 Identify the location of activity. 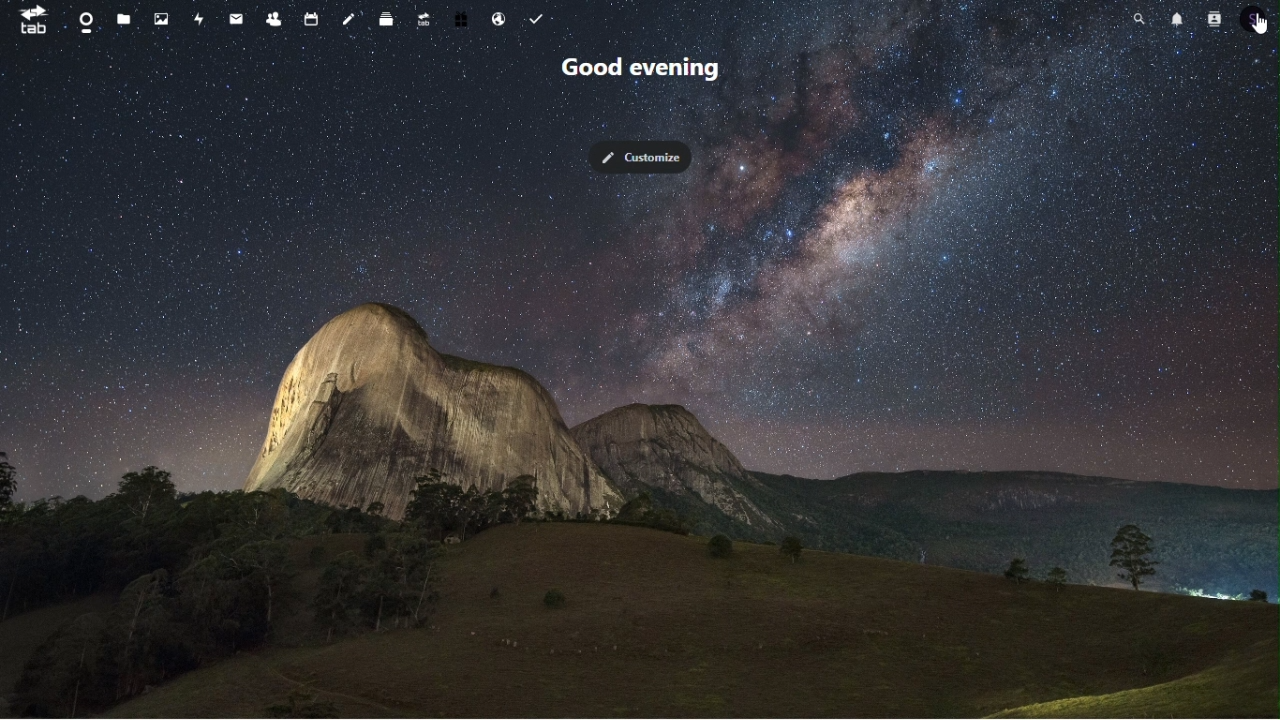
(196, 16).